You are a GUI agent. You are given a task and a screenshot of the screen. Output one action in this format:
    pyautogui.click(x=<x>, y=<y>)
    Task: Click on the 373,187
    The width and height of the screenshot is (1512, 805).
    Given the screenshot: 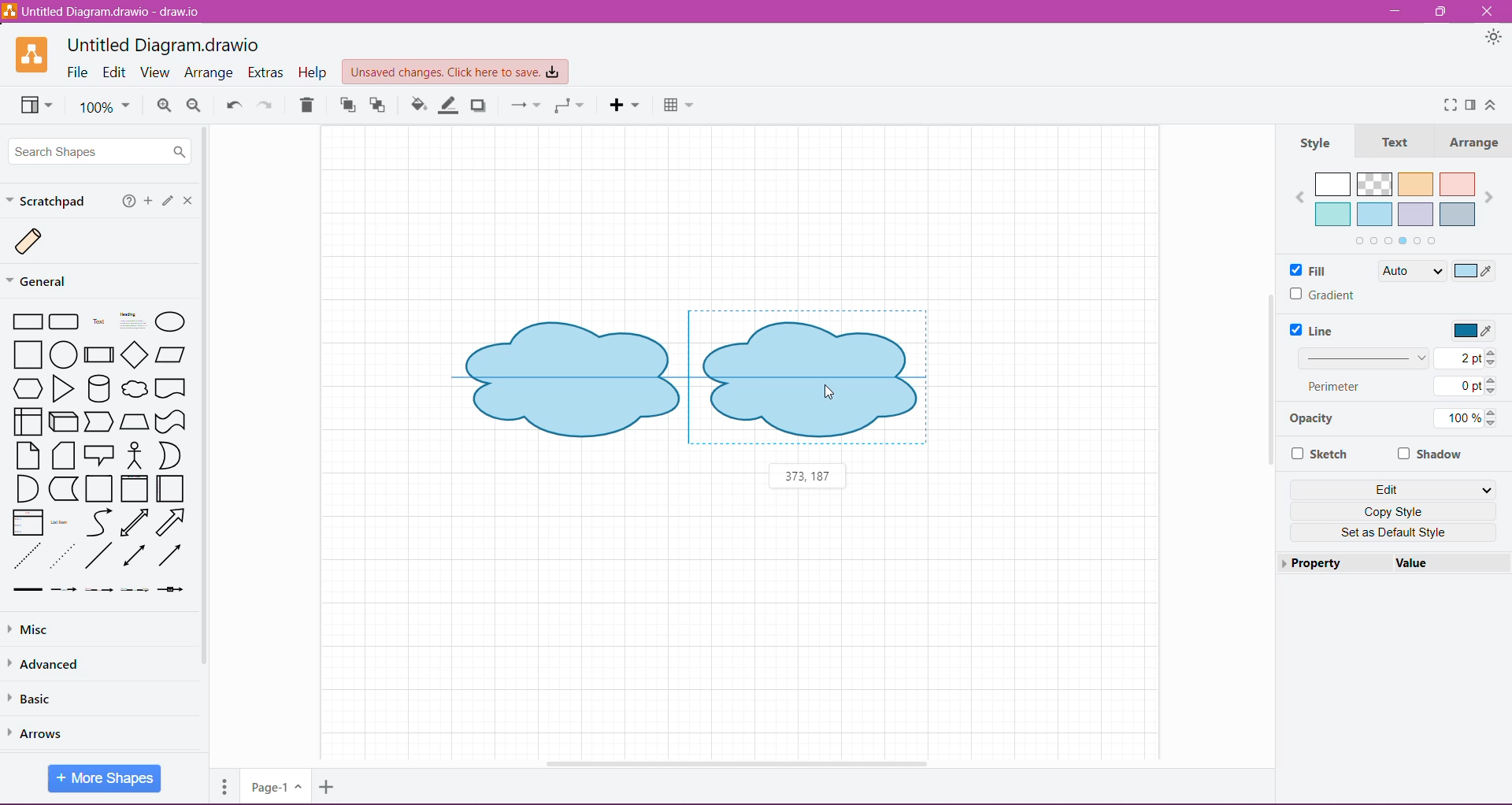 What is the action you would take?
    pyautogui.click(x=808, y=477)
    